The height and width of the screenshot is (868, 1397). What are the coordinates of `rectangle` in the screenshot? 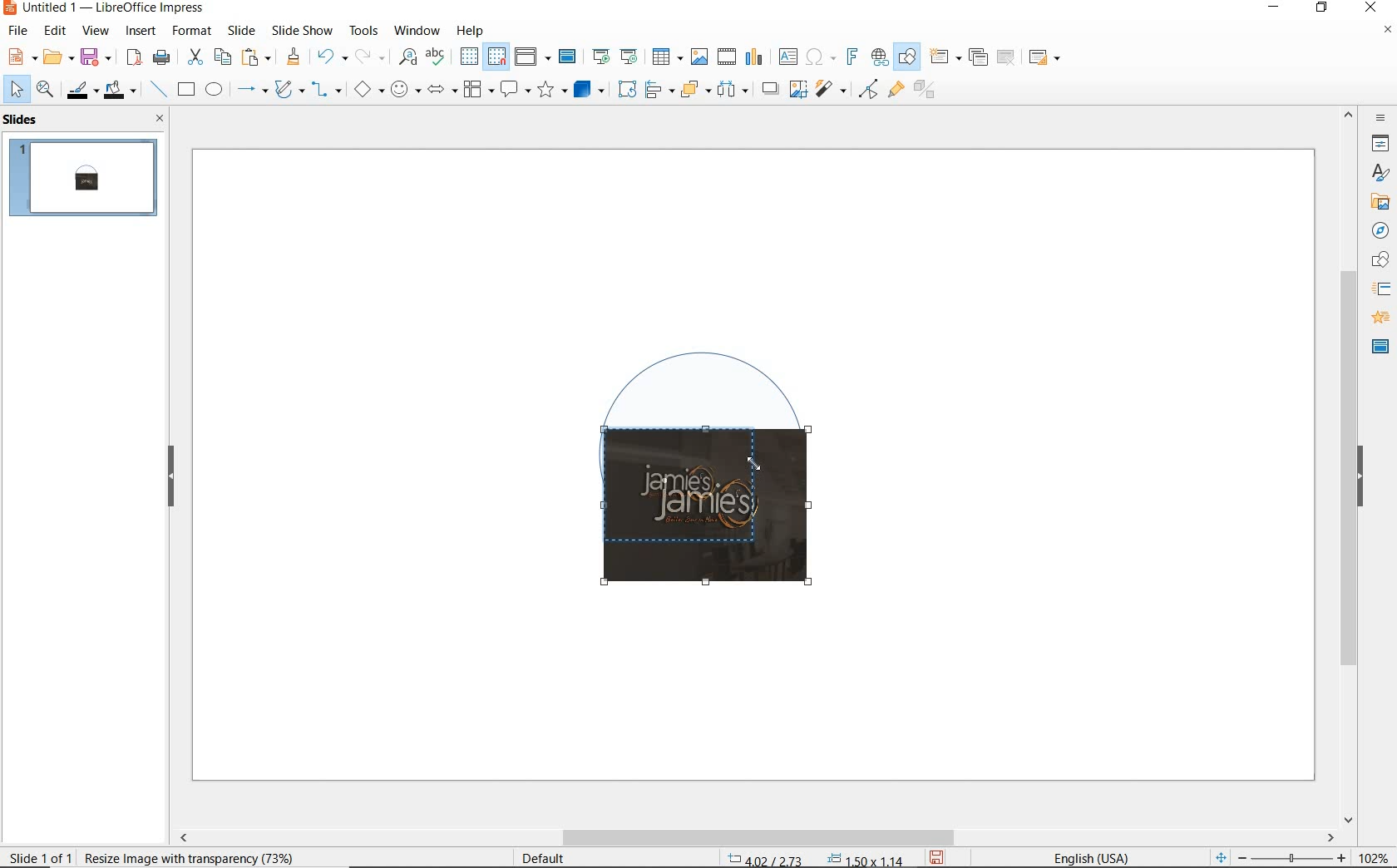 It's located at (185, 91).